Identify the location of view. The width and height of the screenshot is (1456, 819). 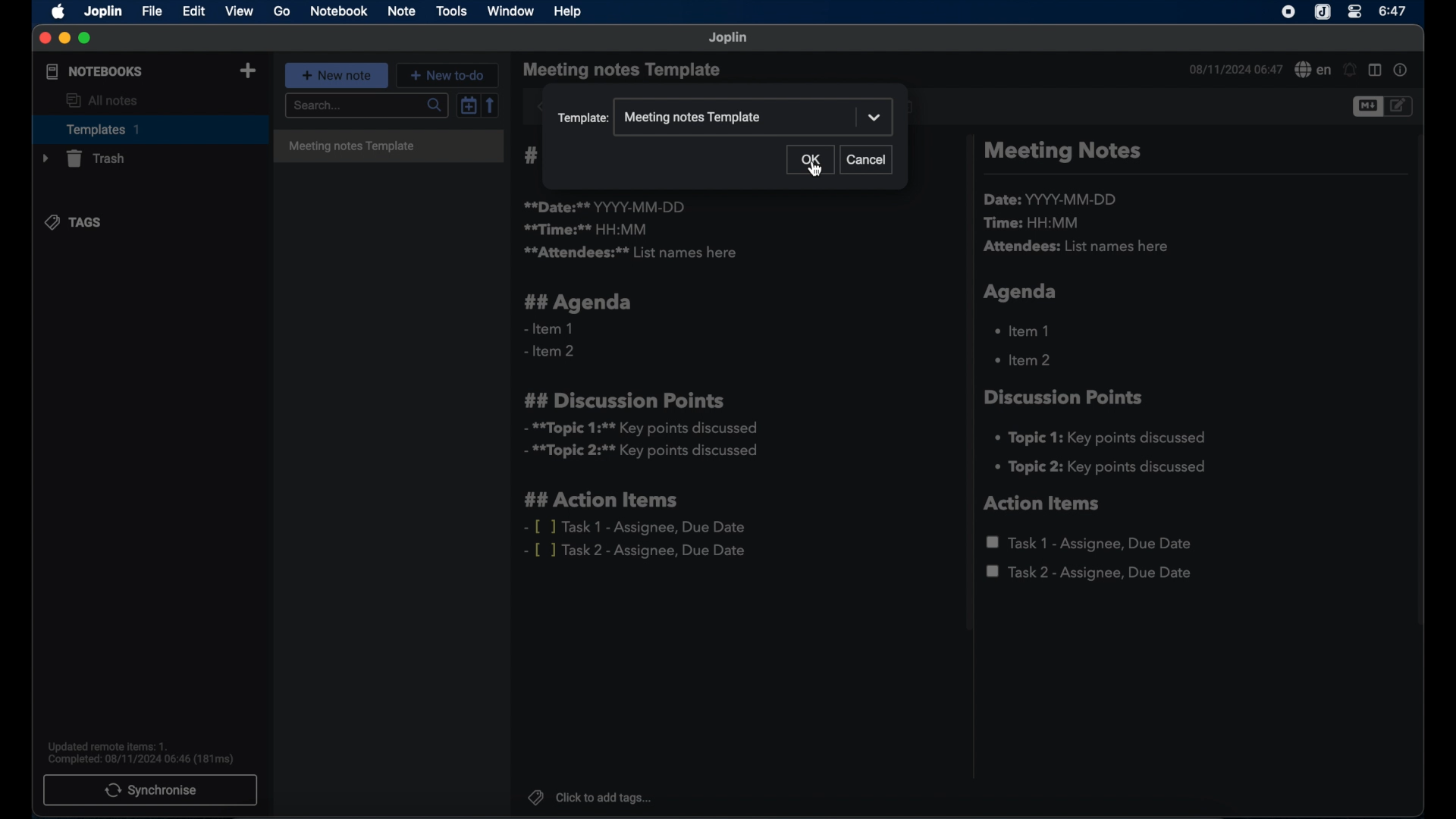
(240, 11).